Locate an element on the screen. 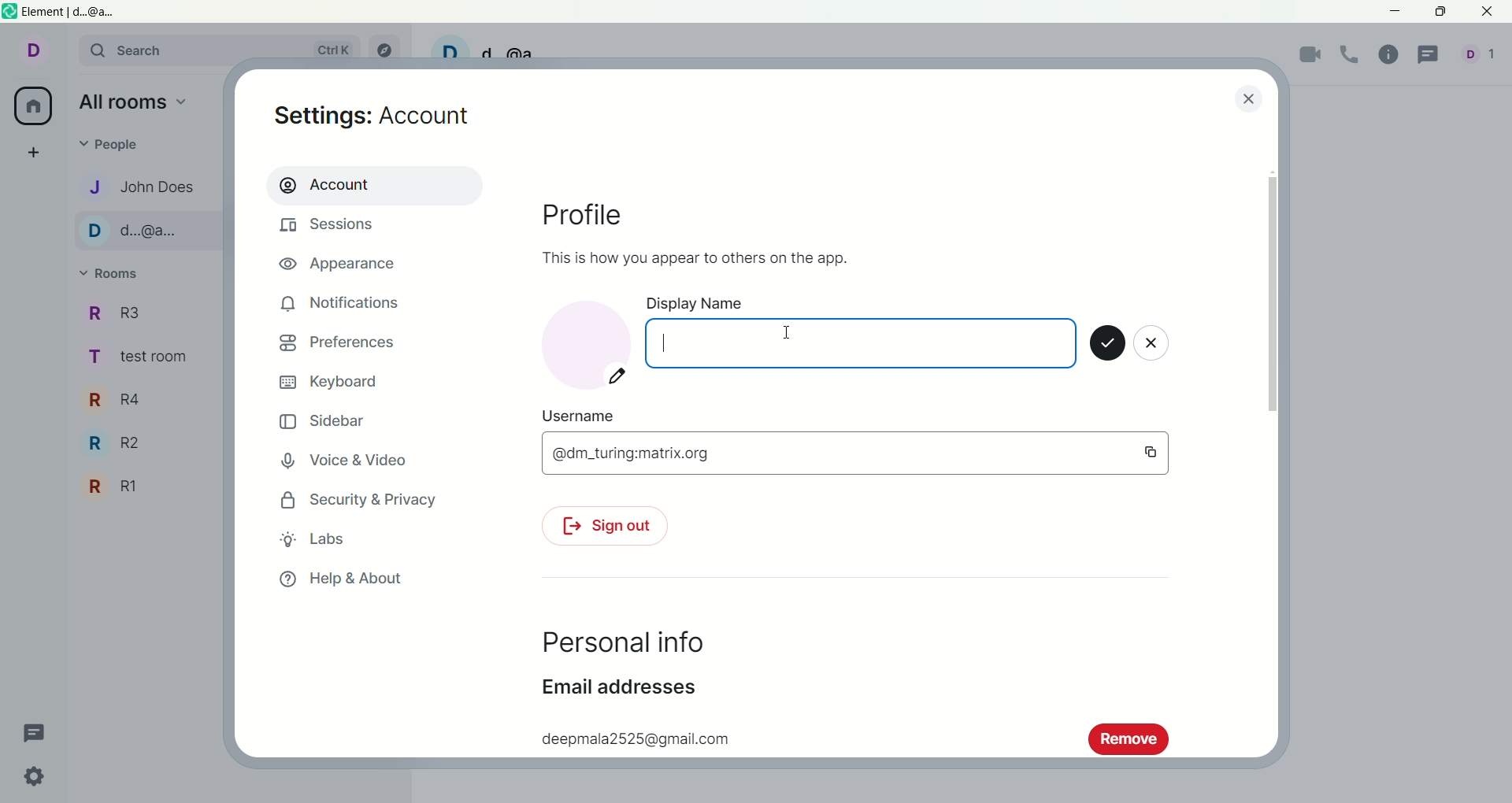 The image size is (1512, 803). R2 is located at coordinates (122, 445).